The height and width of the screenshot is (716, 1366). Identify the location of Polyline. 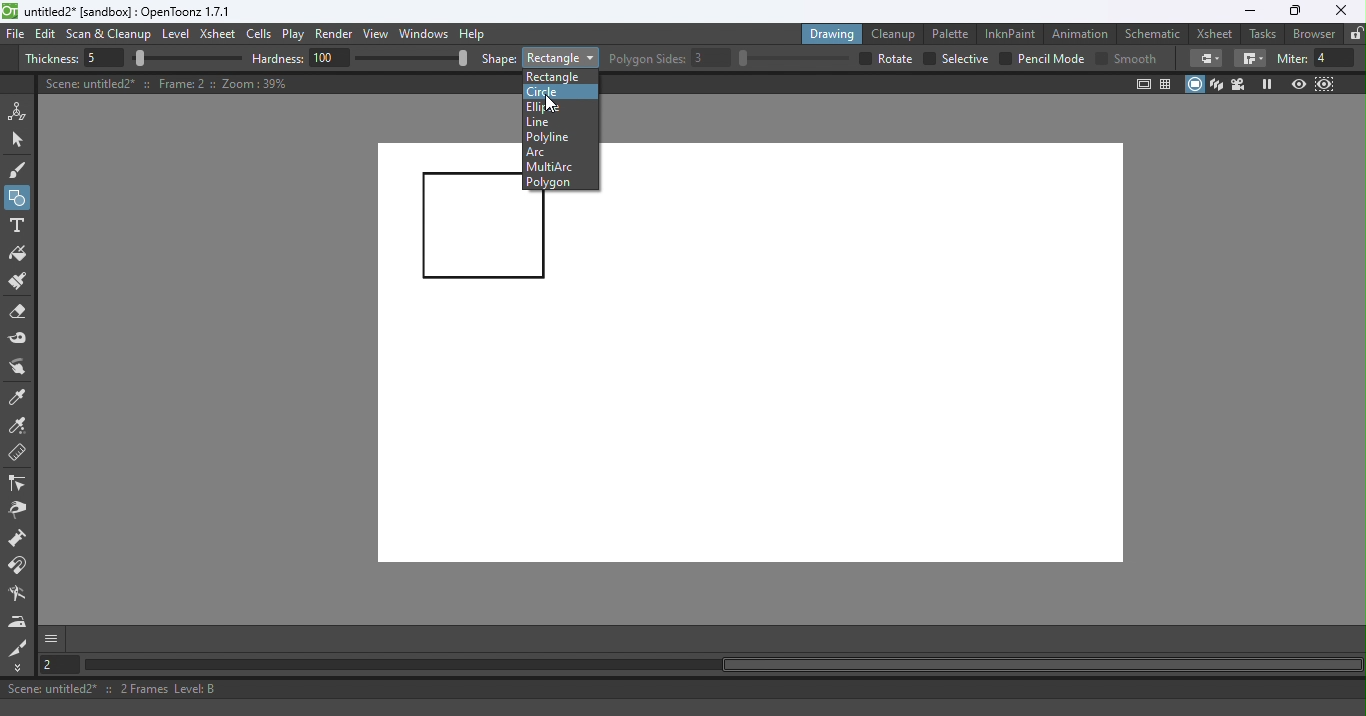
(550, 138).